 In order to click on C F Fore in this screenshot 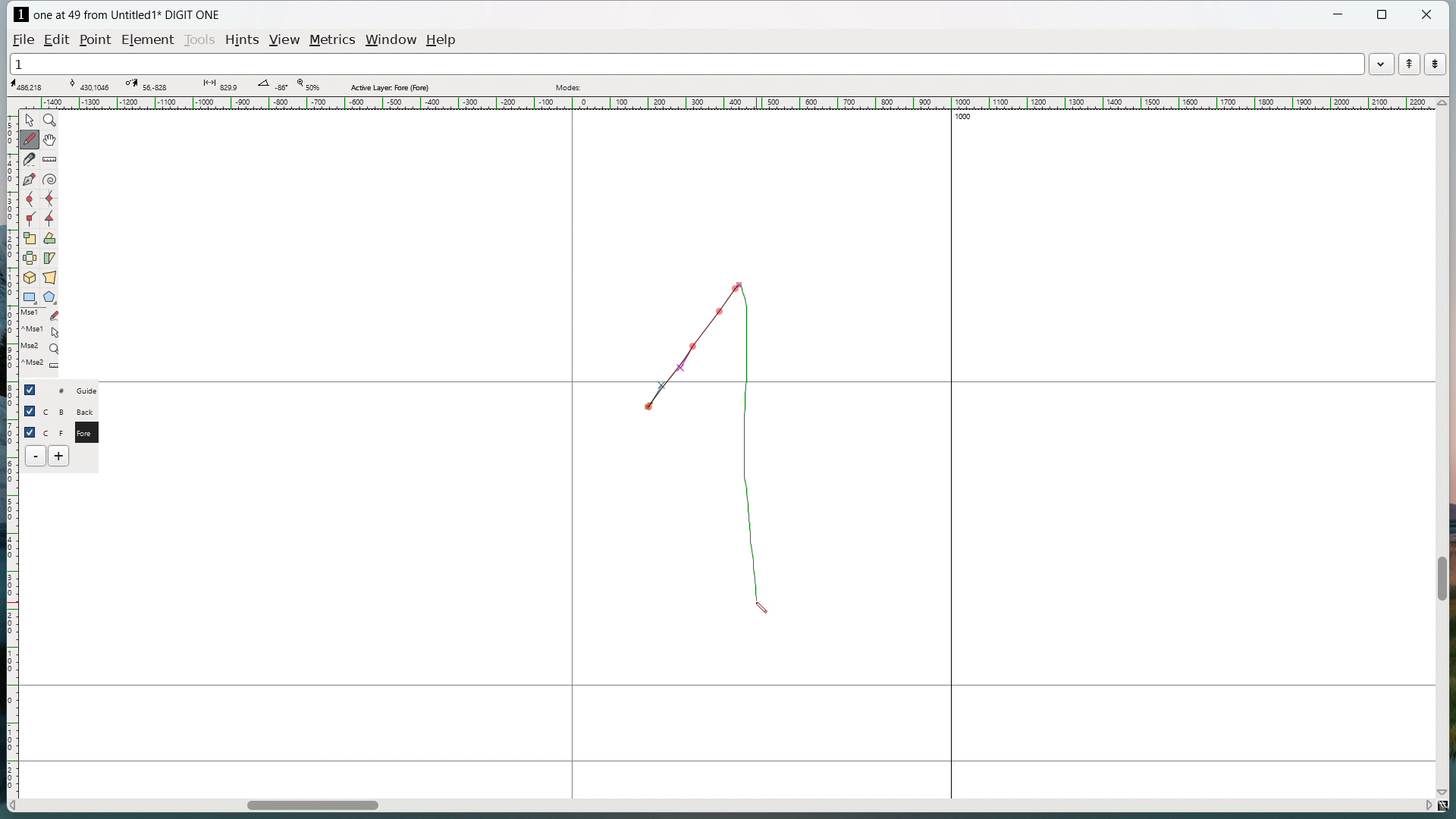, I will do `click(72, 431)`.